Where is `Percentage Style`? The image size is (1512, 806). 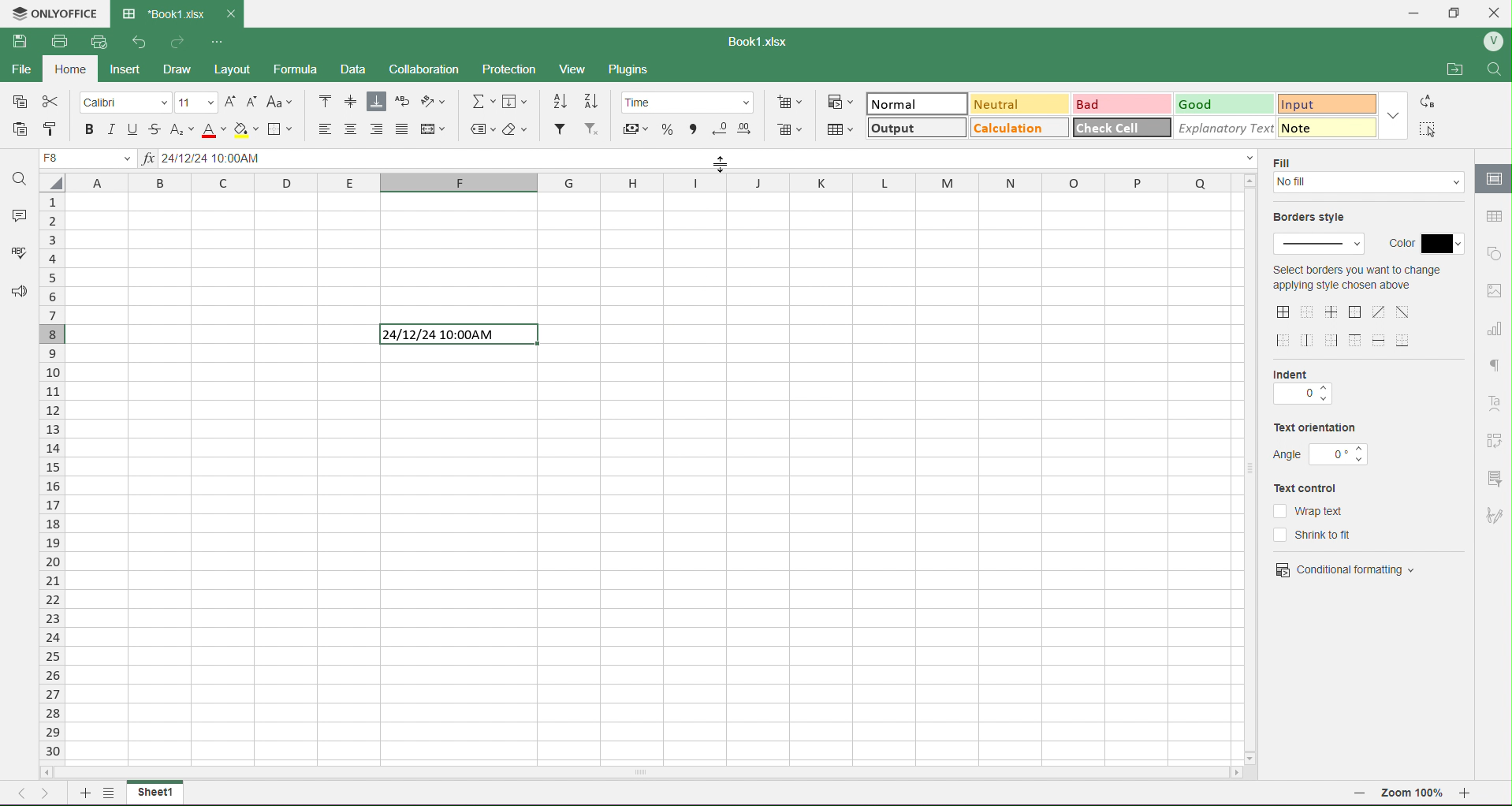 Percentage Style is located at coordinates (665, 129).